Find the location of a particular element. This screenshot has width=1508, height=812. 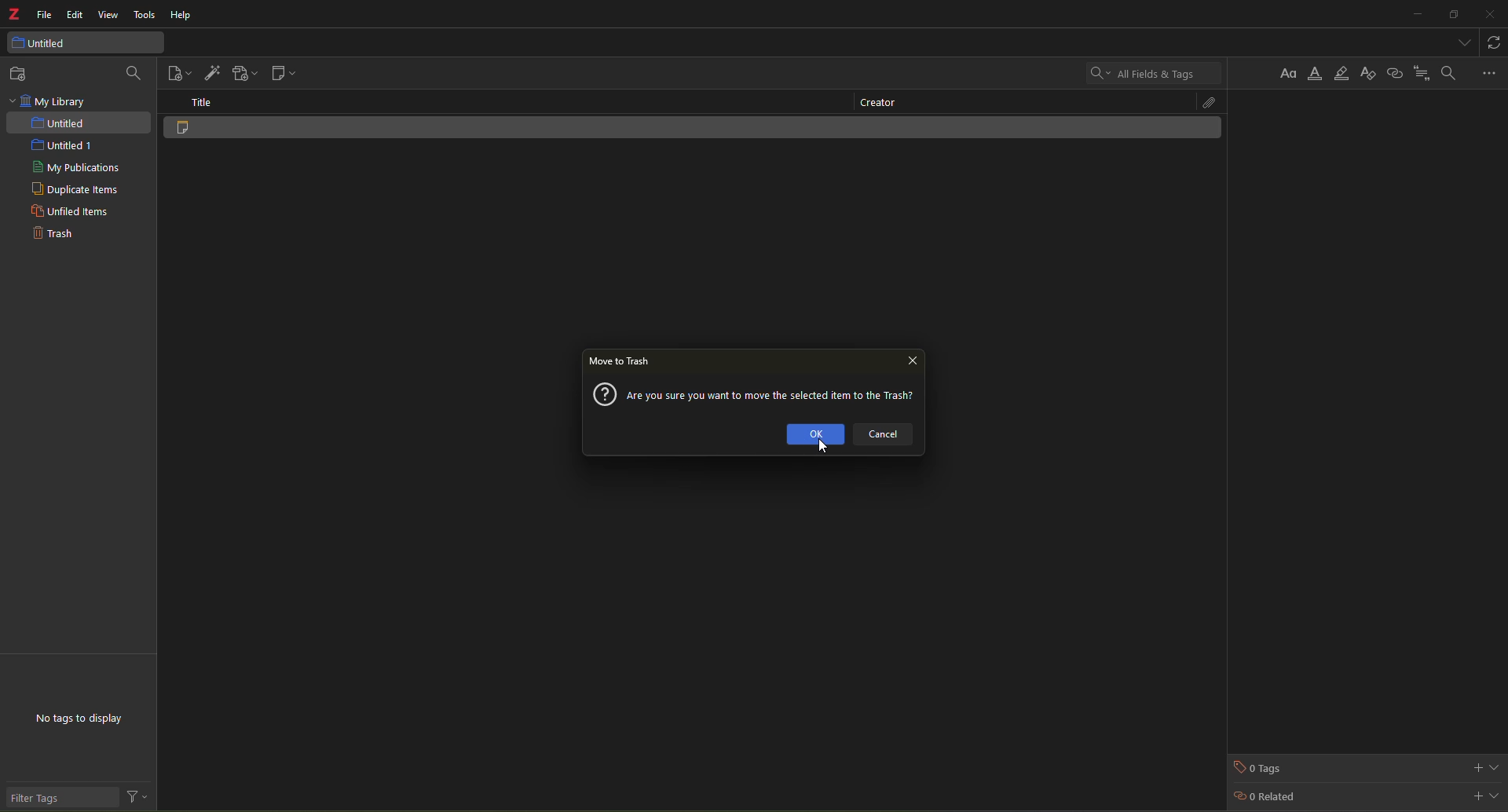

clear formatting is located at coordinates (1367, 75).